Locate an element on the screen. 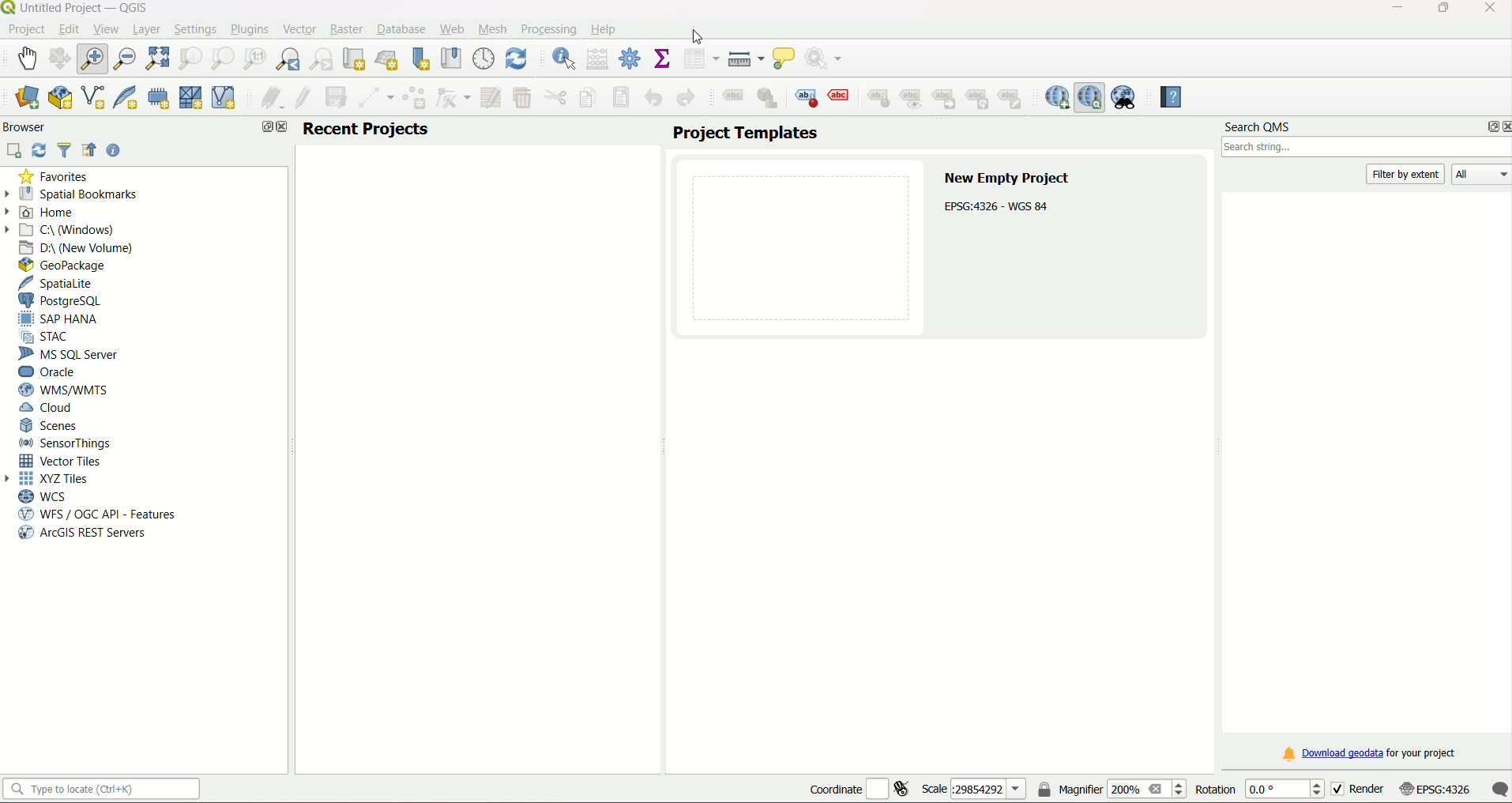  zoom out is located at coordinates (126, 57).